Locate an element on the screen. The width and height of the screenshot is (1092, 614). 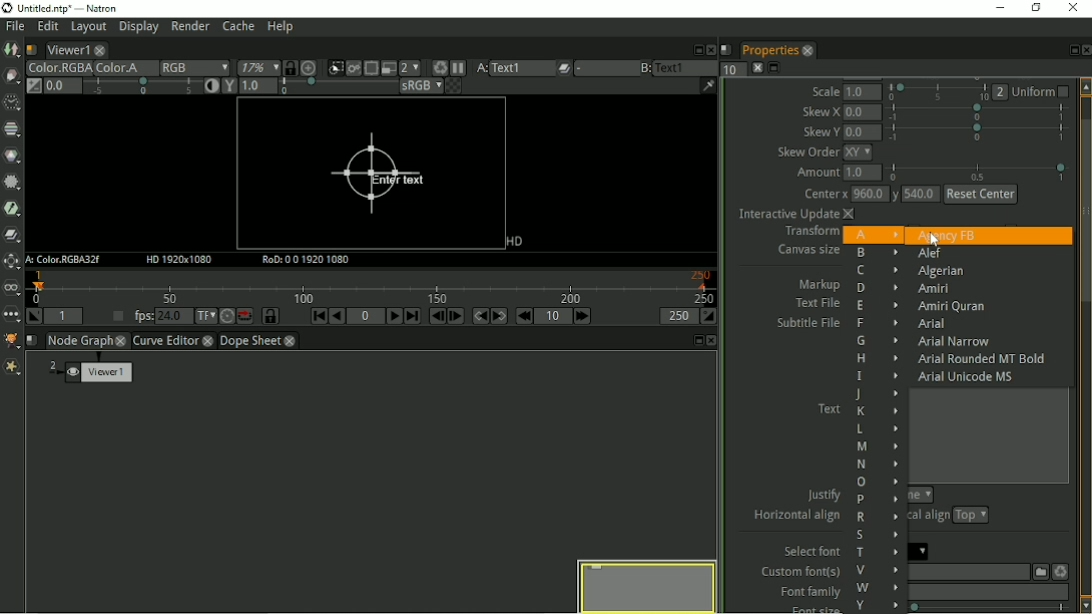
none is located at coordinates (920, 495).